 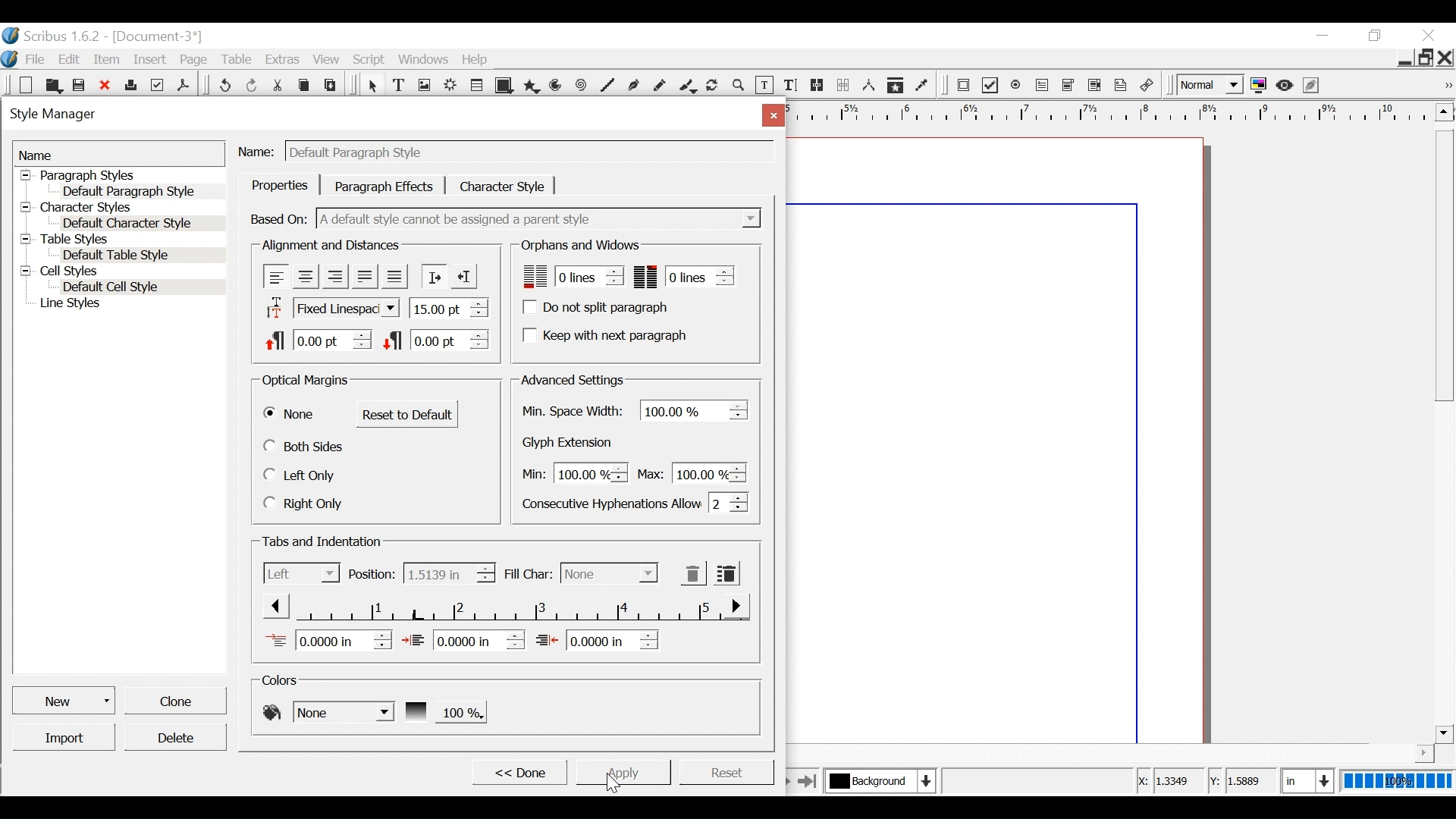 What do you see at coordinates (503, 607) in the screenshot?
I see `Adjust tab` at bounding box center [503, 607].